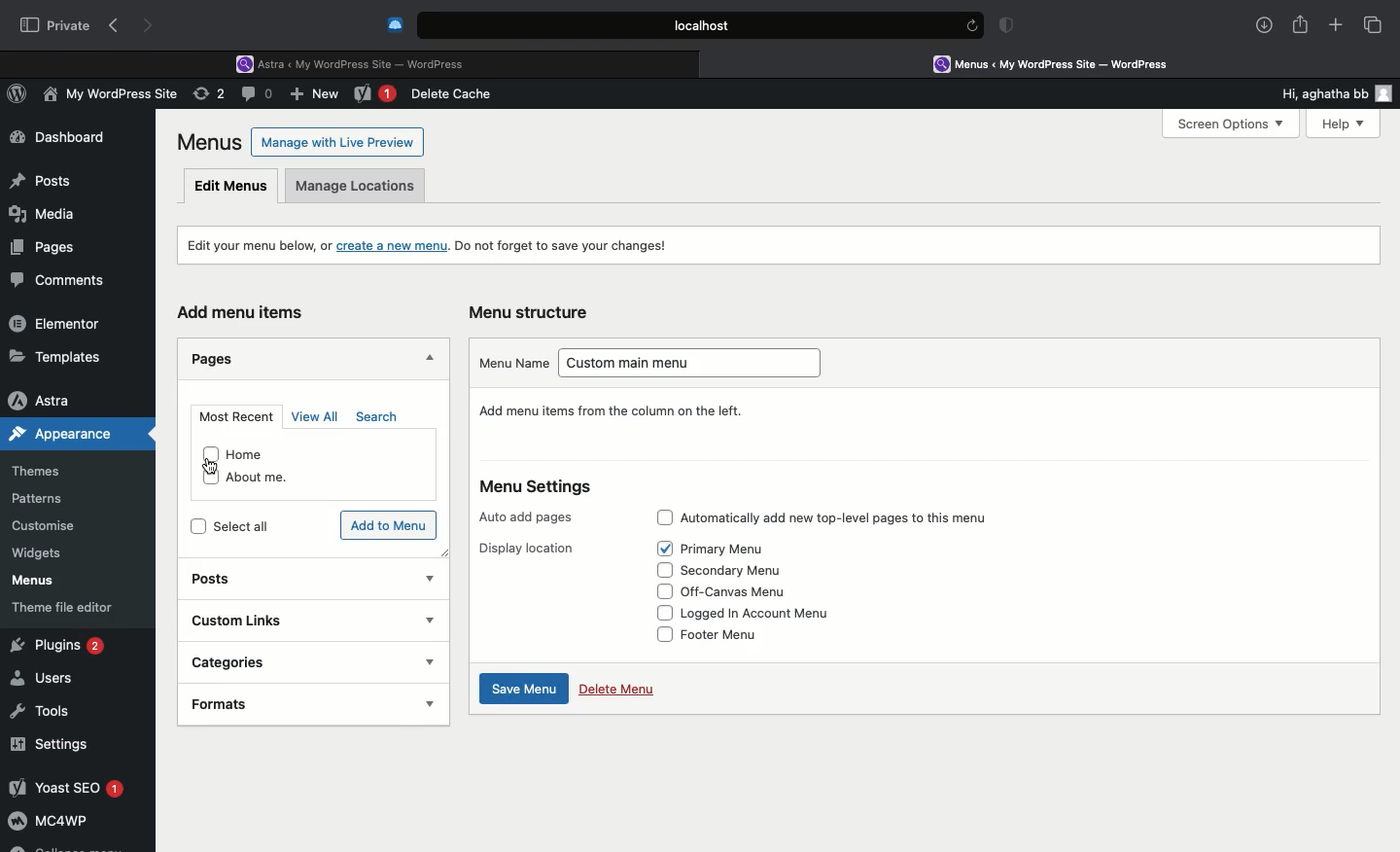 Image resolution: width=1400 pixels, height=852 pixels. What do you see at coordinates (1336, 28) in the screenshot?
I see `Add new tab` at bounding box center [1336, 28].